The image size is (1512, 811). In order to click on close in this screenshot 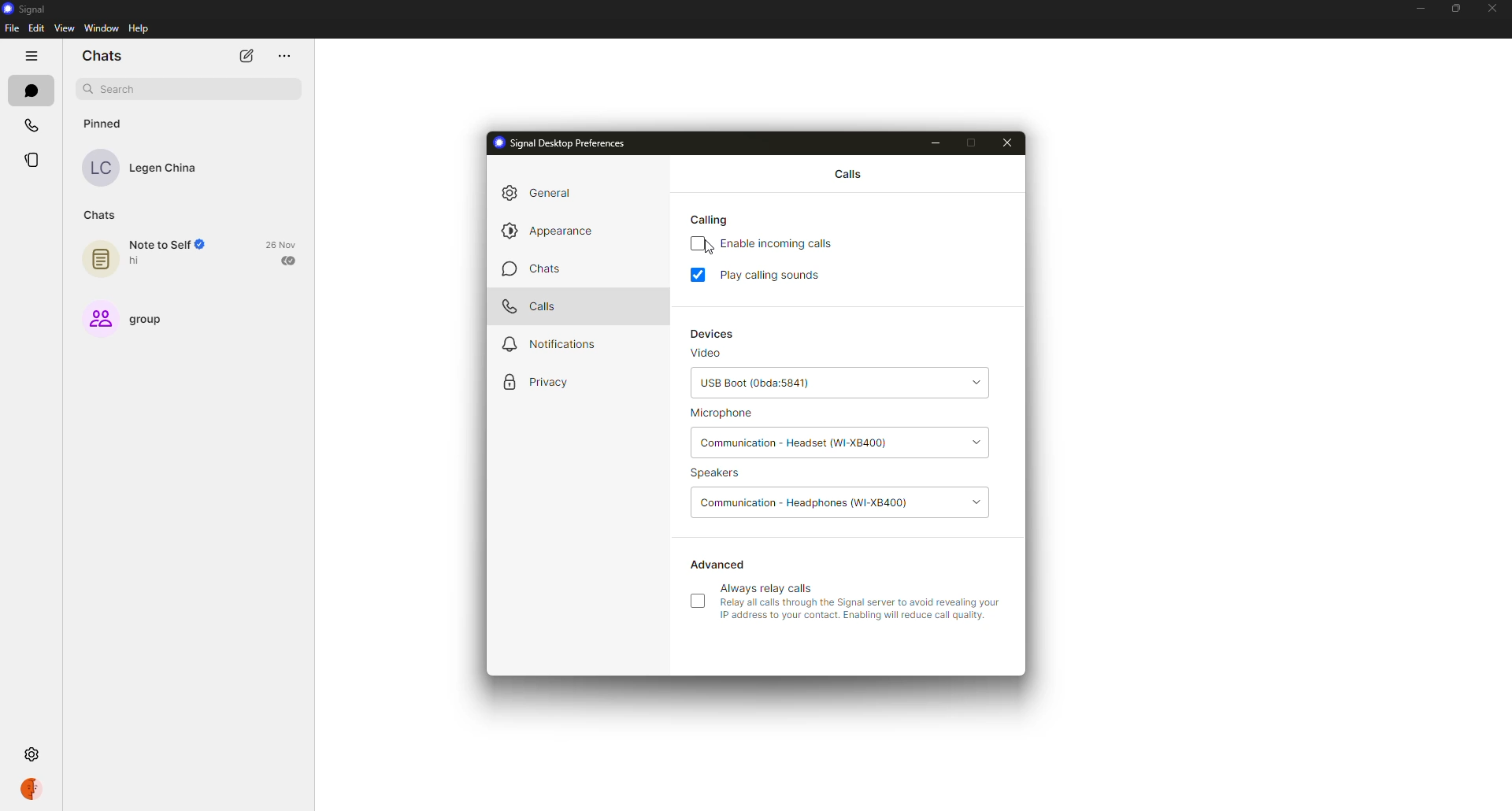, I will do `click(1494, 9)`.